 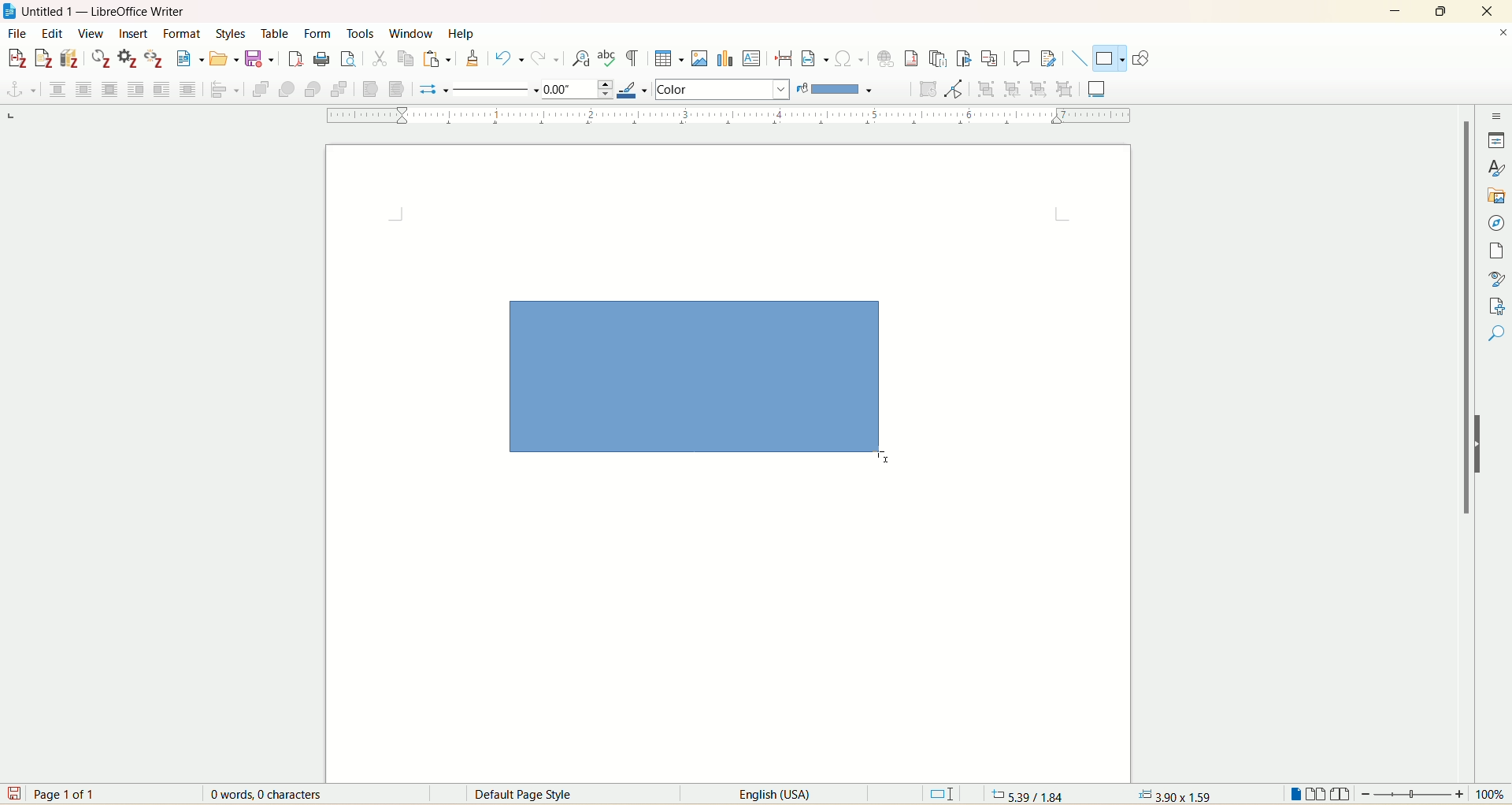 I want to click on cut, so click(x=379, y=61).